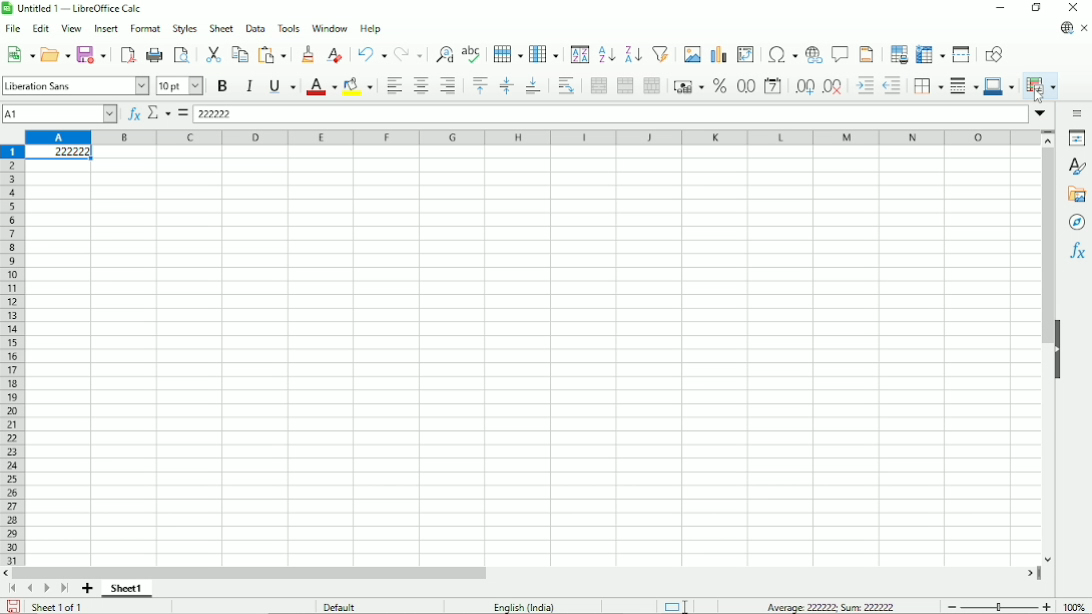 This screenshot has height=614, width=1092. I want to click on Update available, so click(1065, 27).